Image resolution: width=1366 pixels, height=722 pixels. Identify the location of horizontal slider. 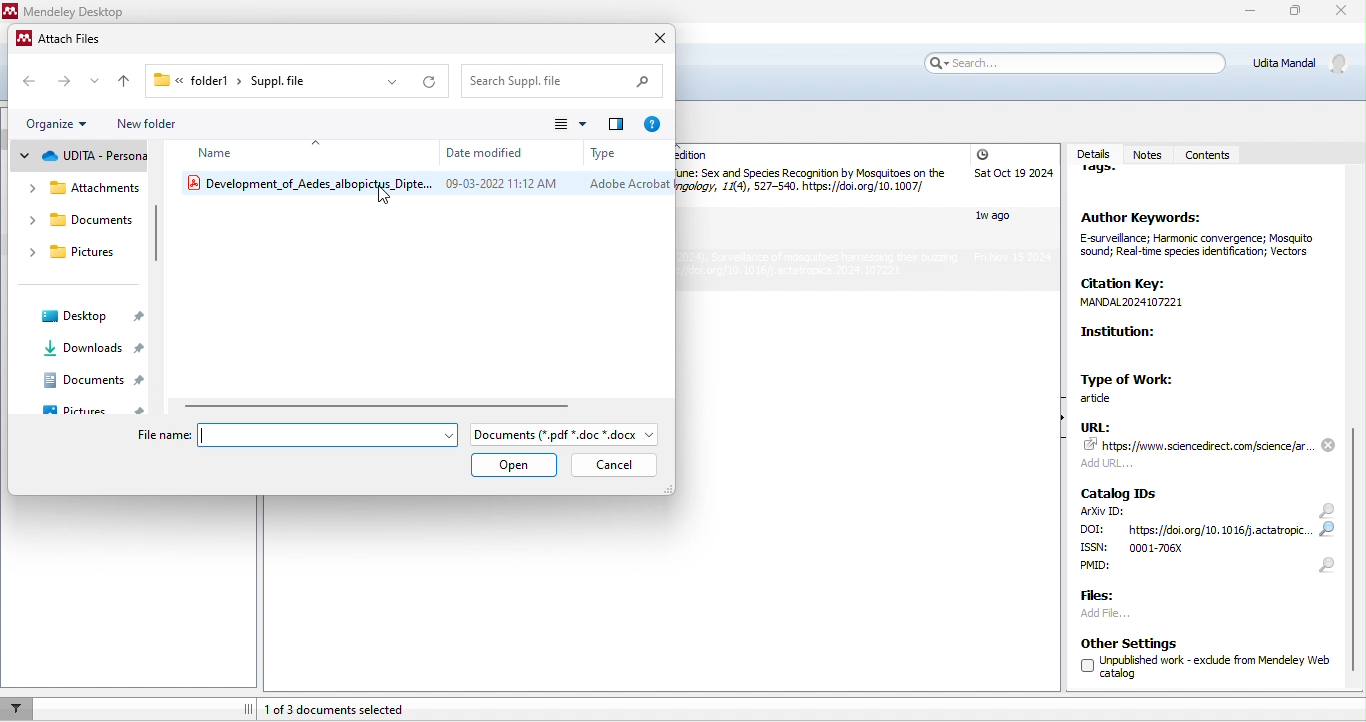
(388, 404).